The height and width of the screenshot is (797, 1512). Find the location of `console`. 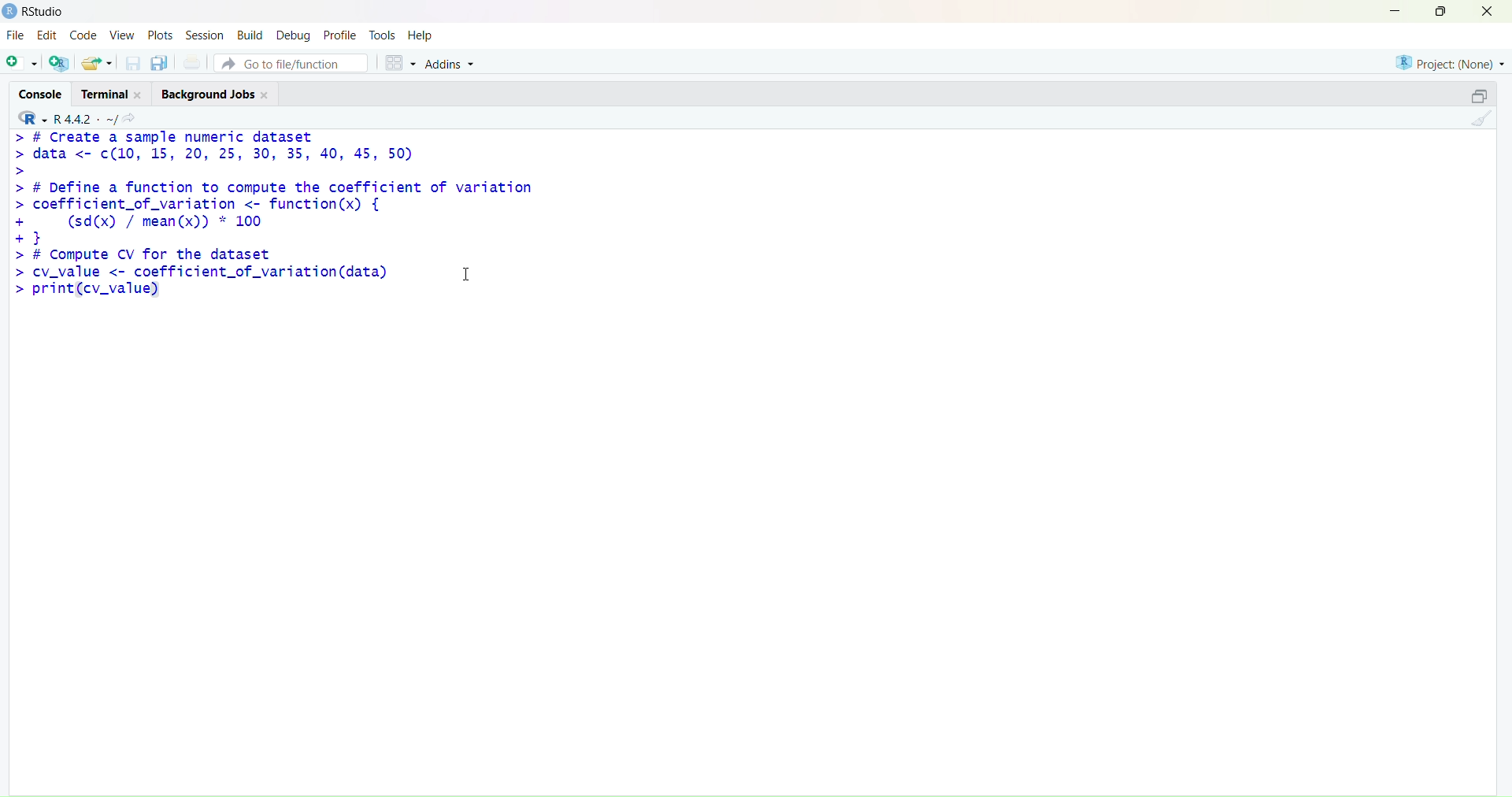

console is located at coordinates (42, 94).